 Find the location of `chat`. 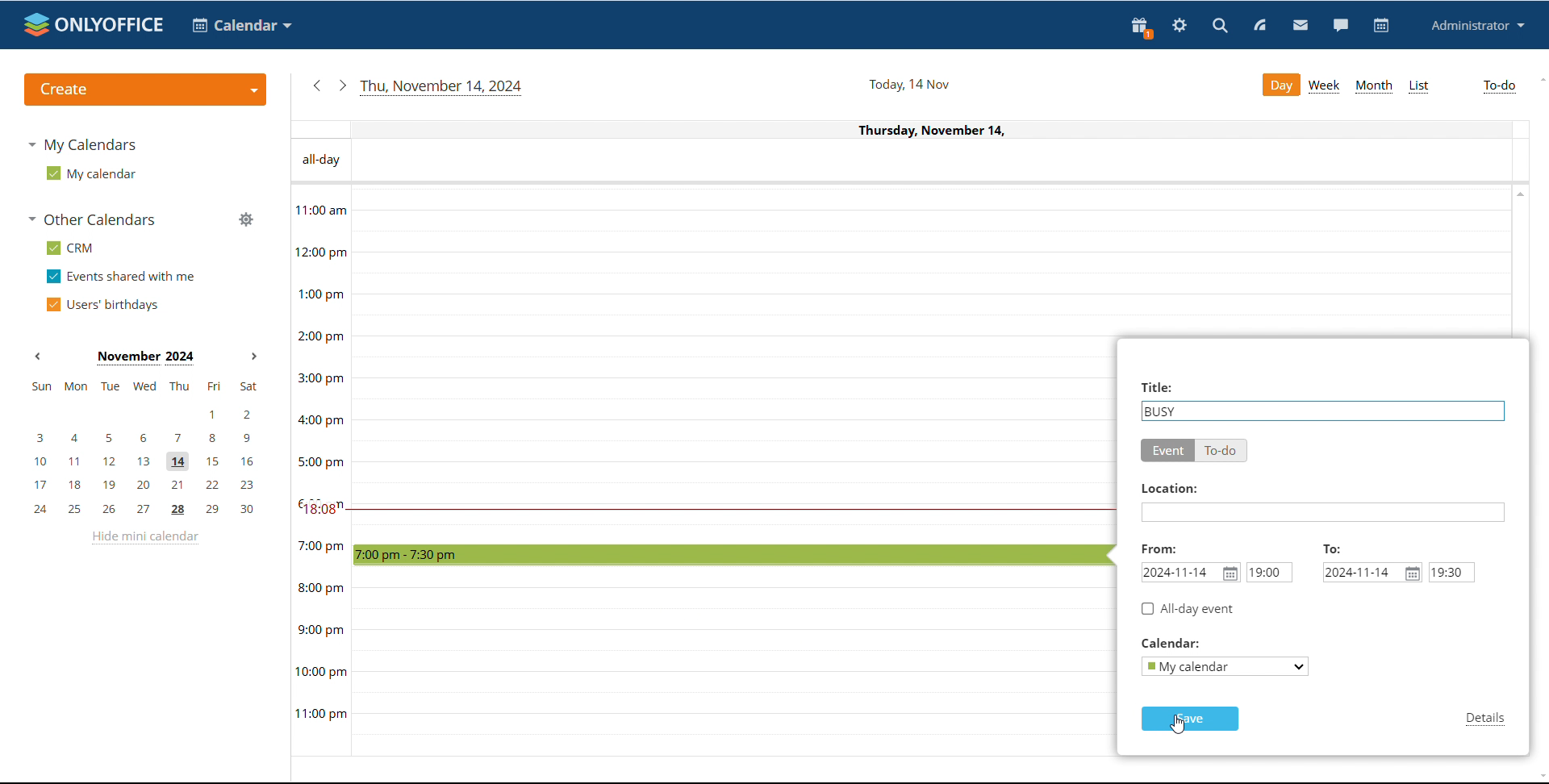

chat is located at coordinates (1340, 25).